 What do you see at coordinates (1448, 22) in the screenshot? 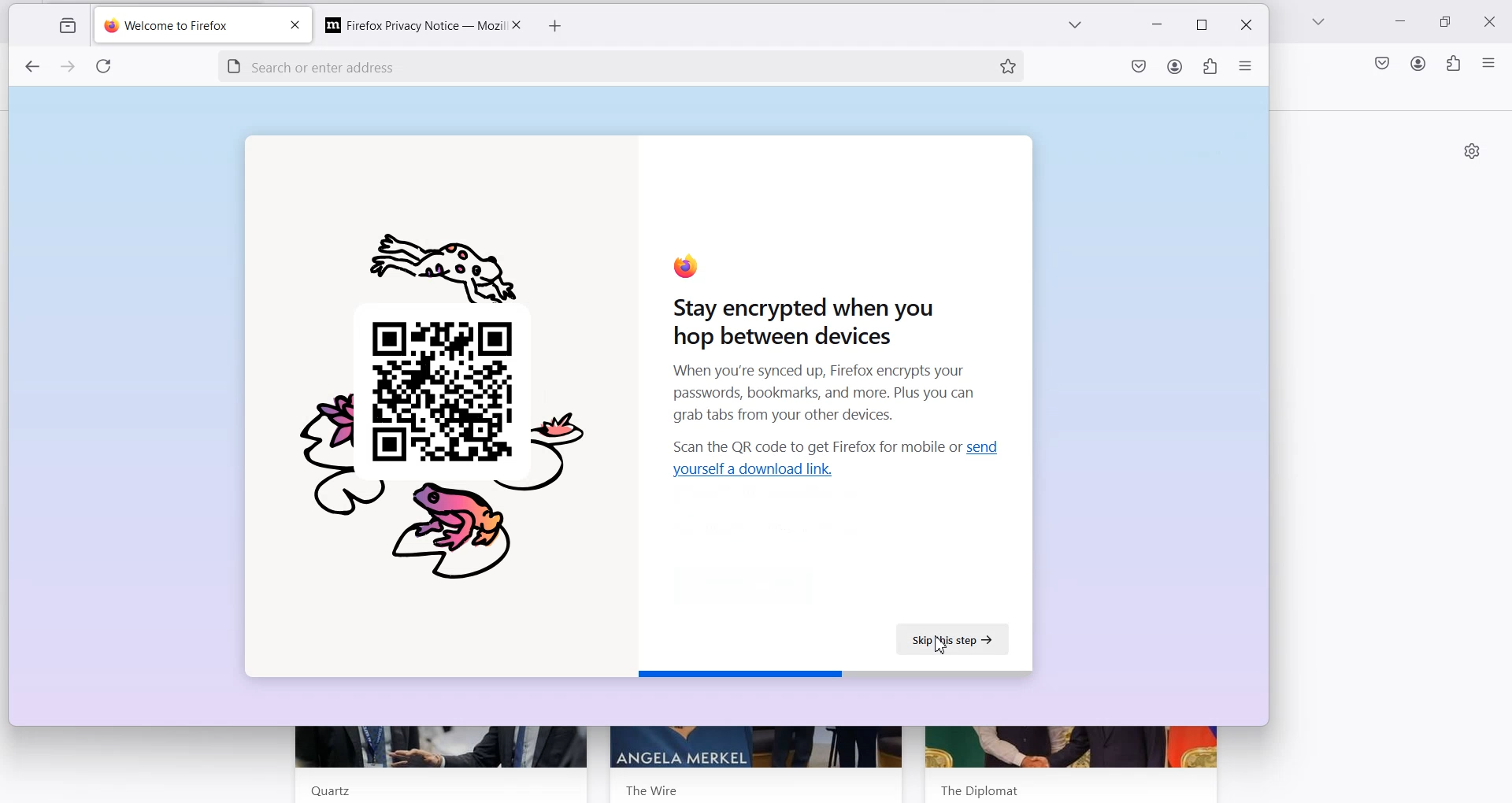
I see `Maximize` at bounding box center [1448, 22].